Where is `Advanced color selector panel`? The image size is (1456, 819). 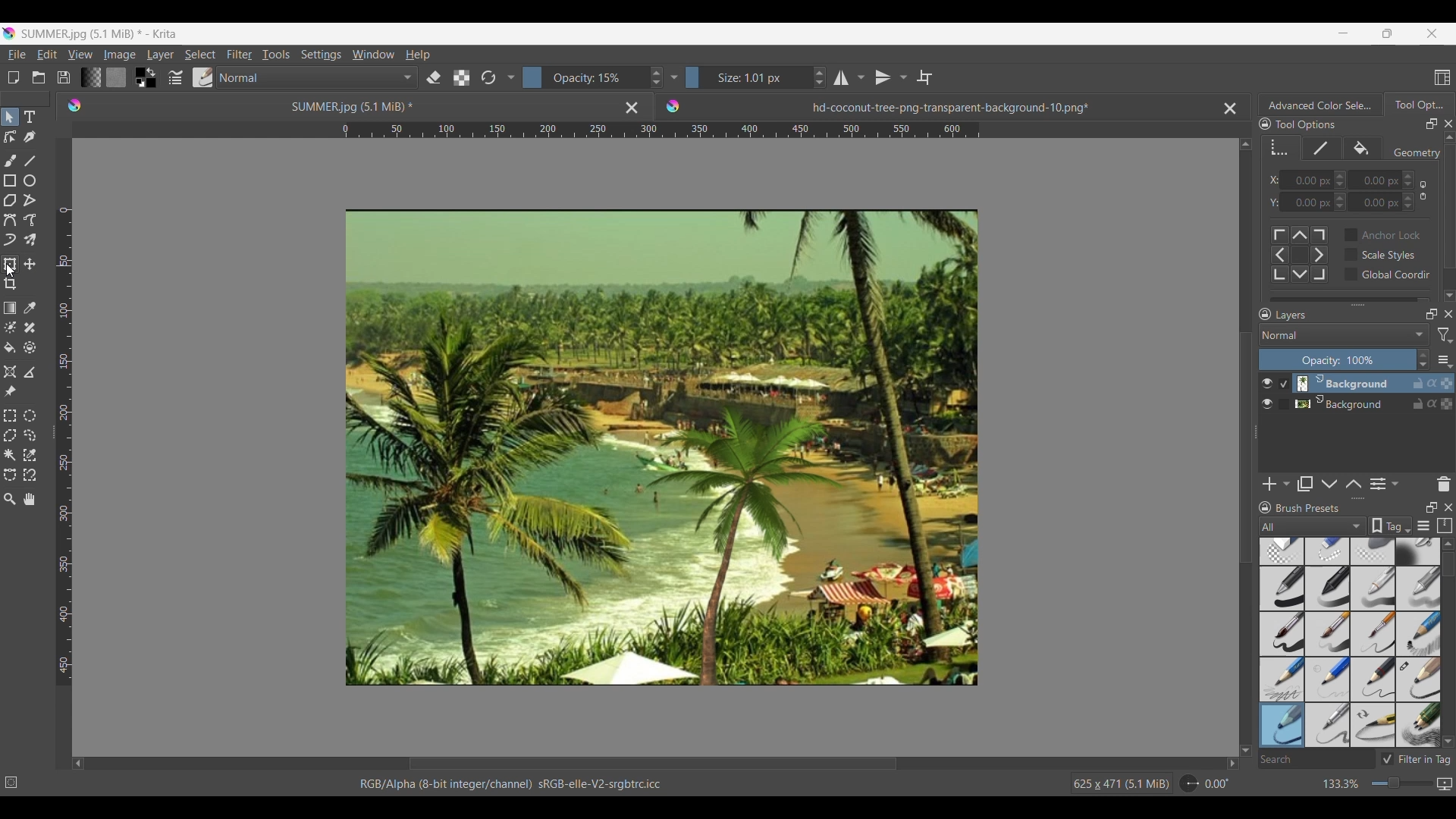 Advanced color selector panel is located at coordinates (1320, 105).